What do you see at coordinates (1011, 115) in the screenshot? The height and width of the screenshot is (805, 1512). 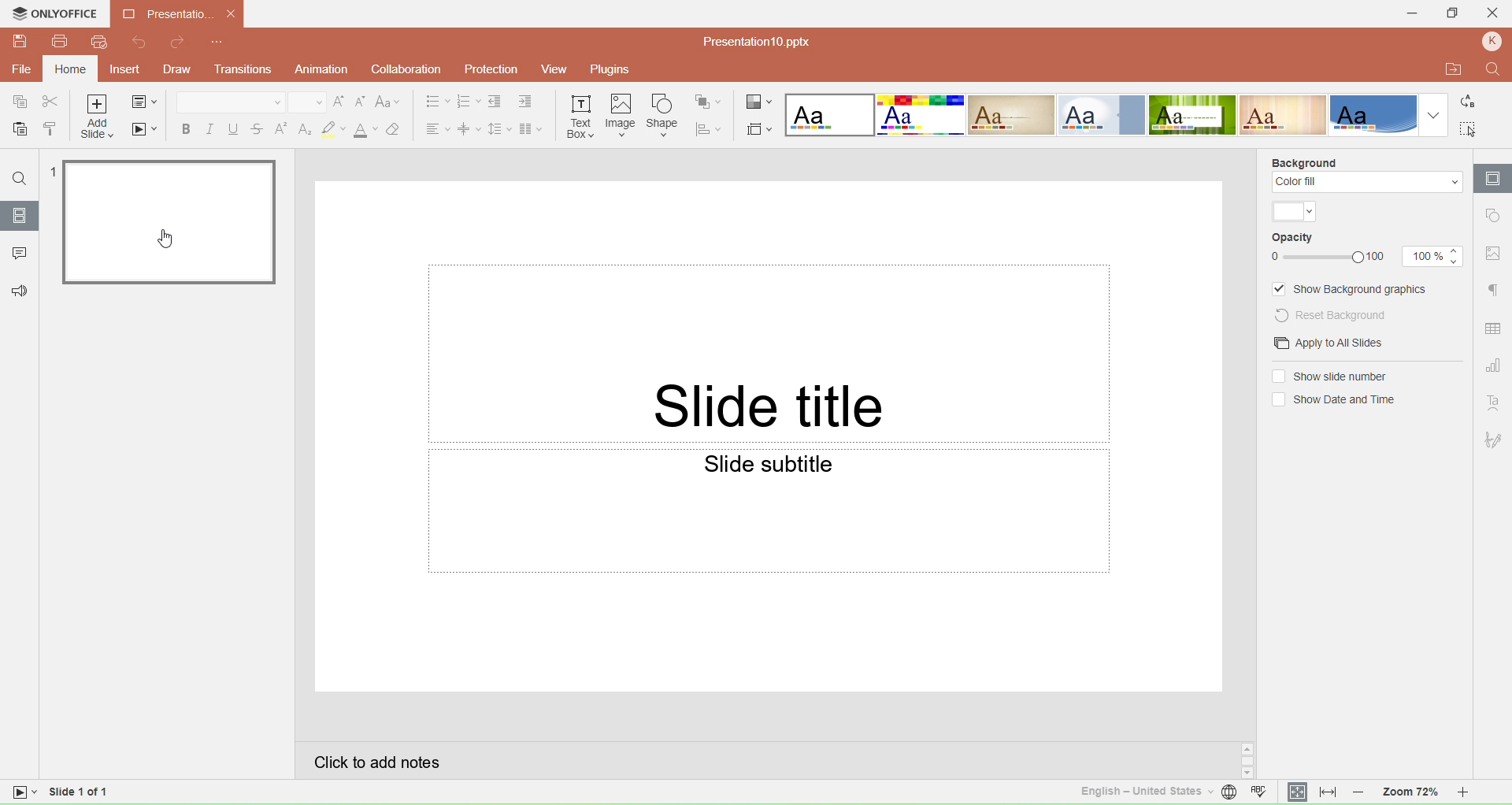 I see `Classic` at bounding box center [1011, 115].